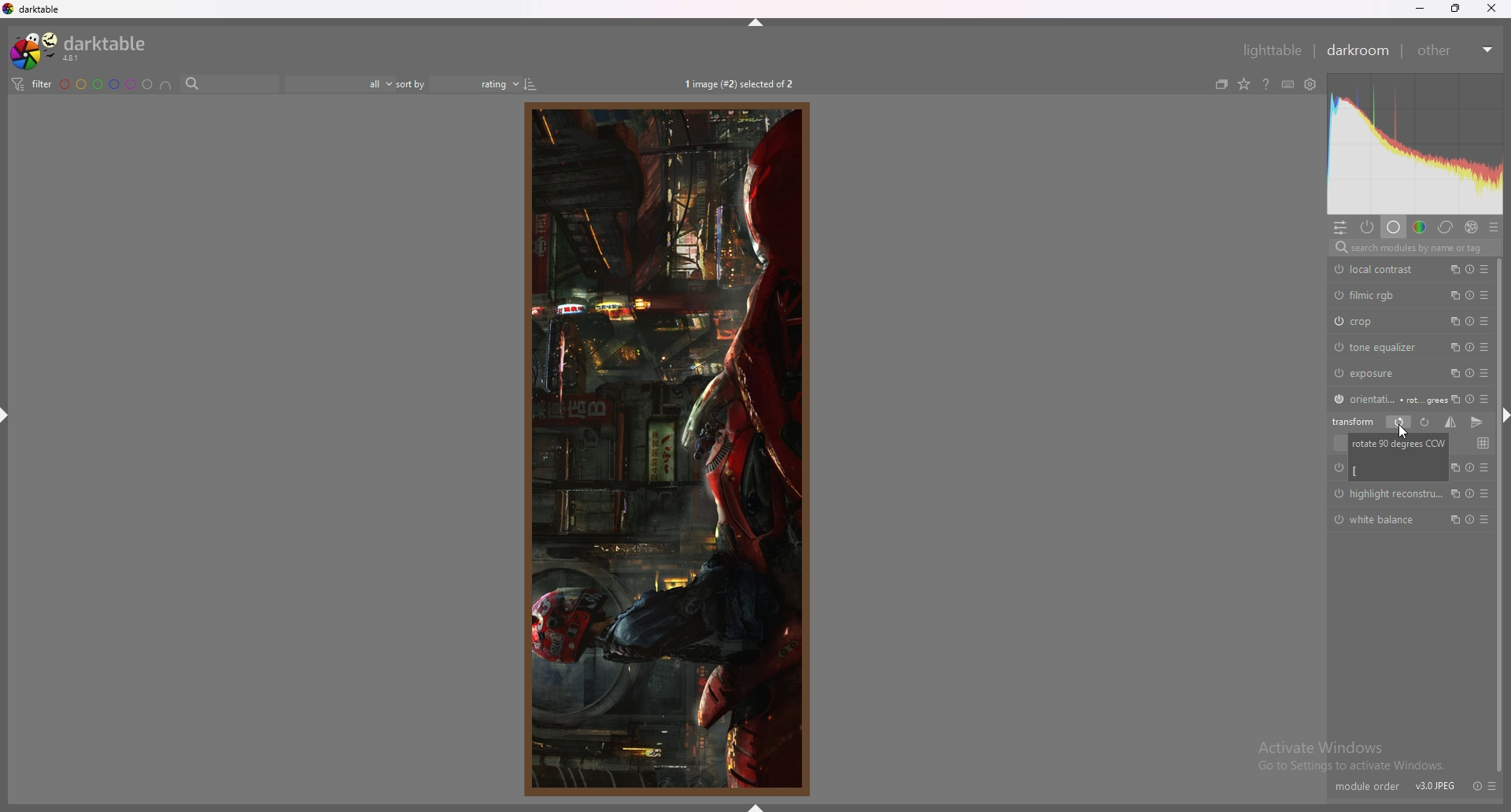 The height and width of the screenshot is (812, 1511). Describe the element at coordinates (1387, 495) in the screenshot. I see `` at that location.